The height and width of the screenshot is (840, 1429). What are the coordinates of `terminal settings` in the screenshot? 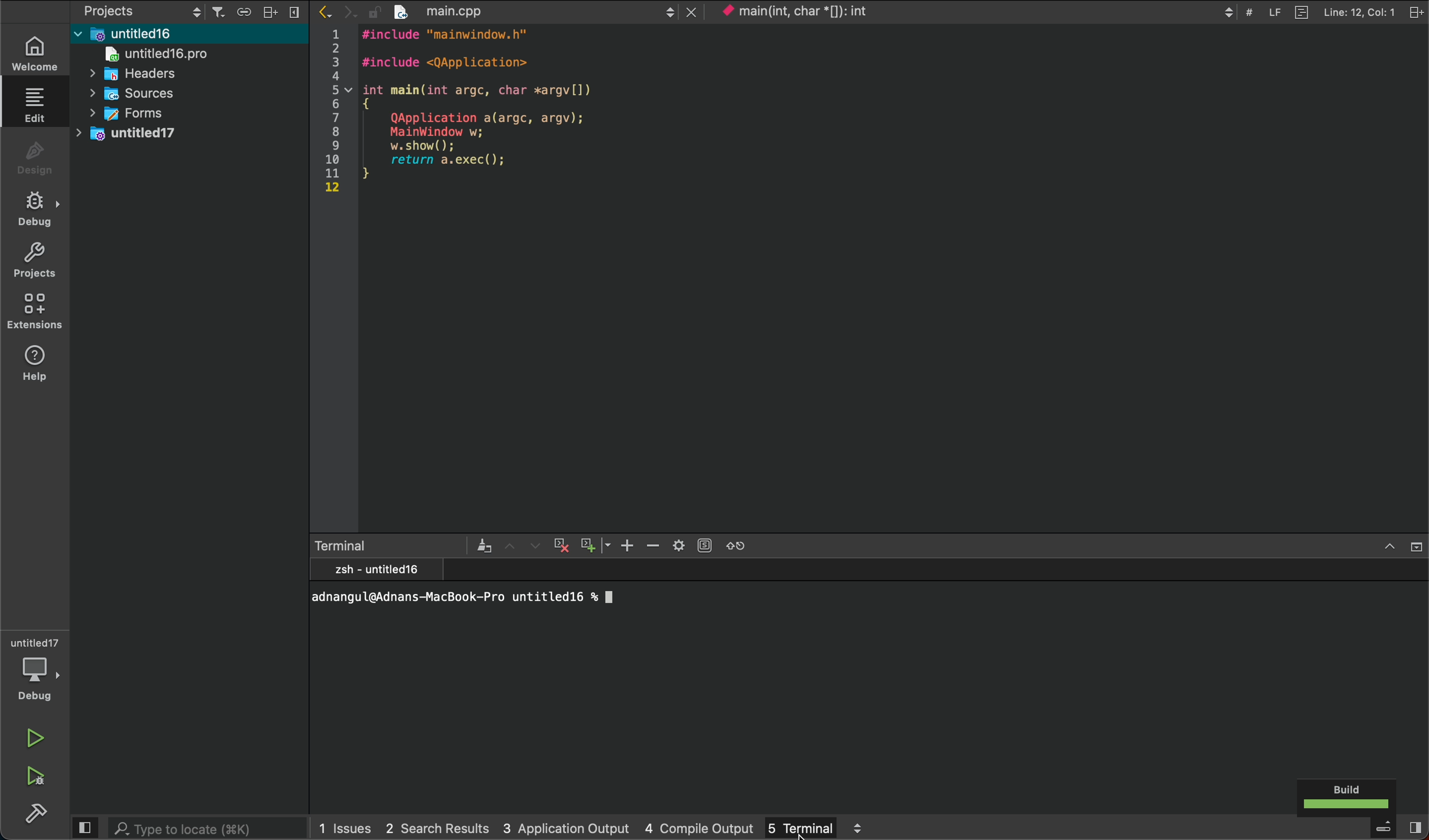 It's located at (481, 546).